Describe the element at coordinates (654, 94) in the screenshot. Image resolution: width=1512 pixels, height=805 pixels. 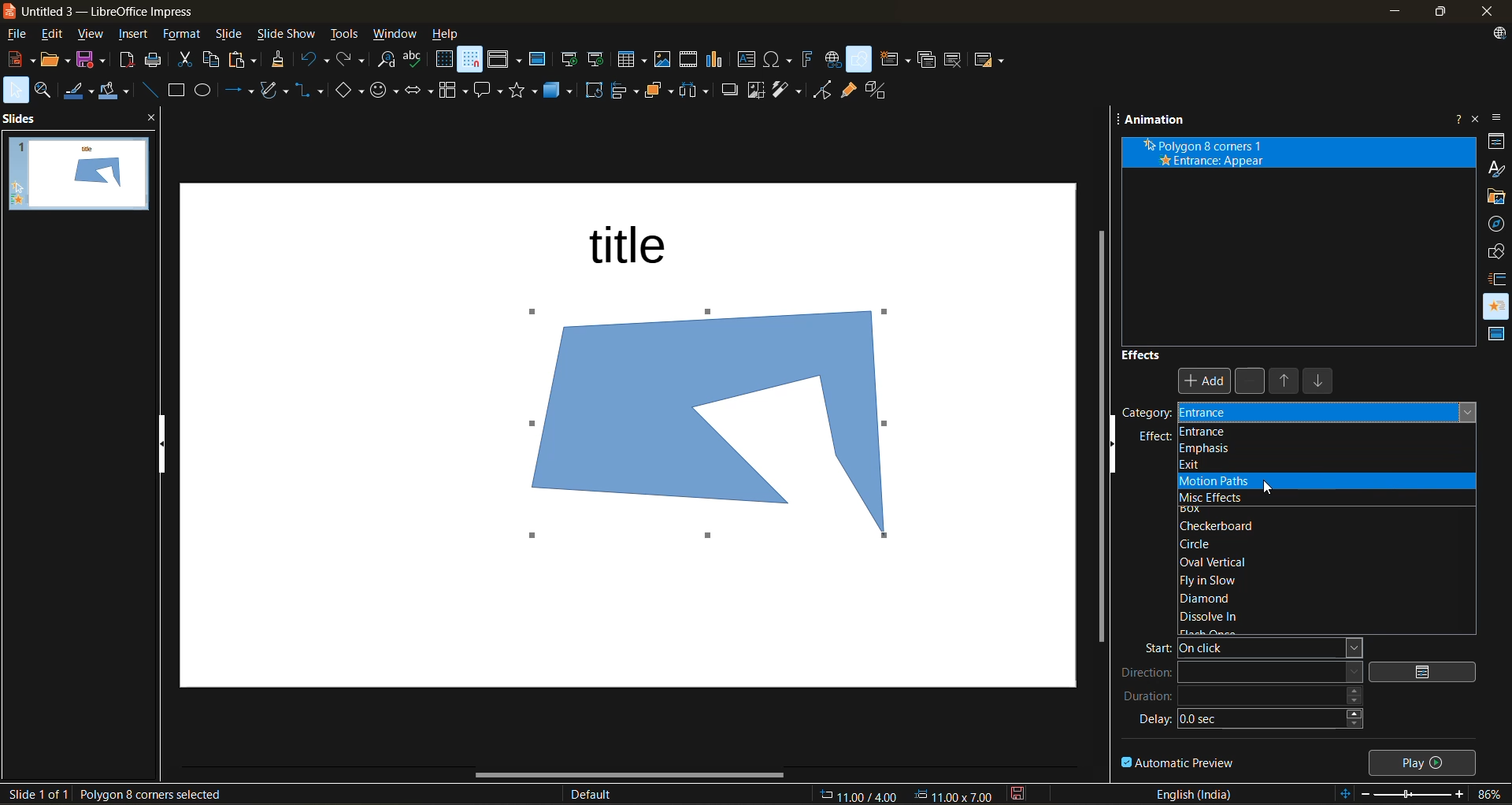
I see `arrange` at that location.